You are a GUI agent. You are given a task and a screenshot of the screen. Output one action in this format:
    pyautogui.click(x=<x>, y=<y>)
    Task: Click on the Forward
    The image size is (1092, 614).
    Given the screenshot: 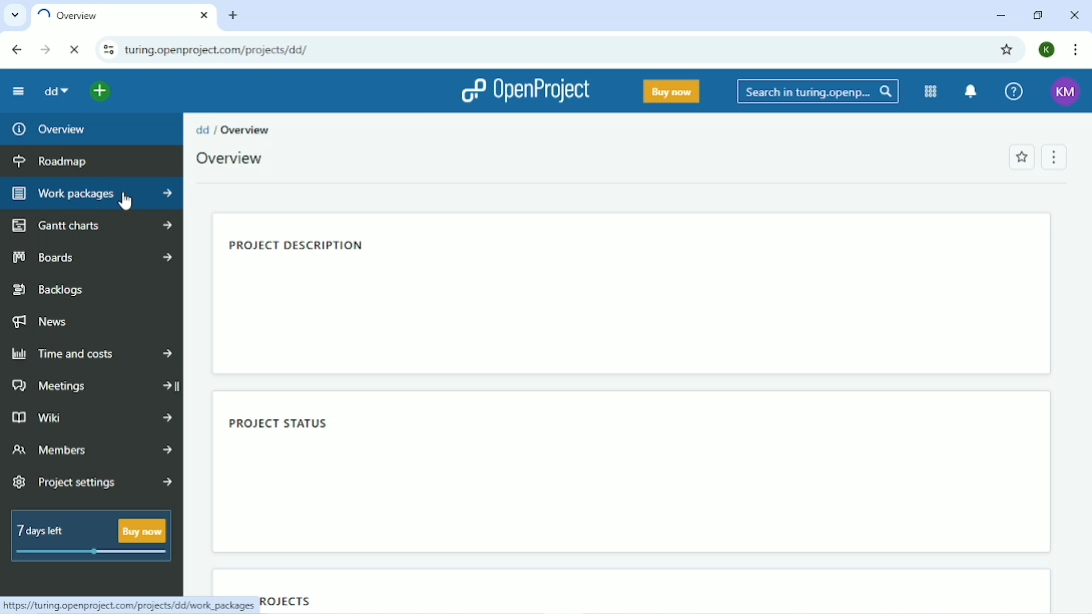 What is the action you would take?
    pyautogui.click(x=44, y=49)
    